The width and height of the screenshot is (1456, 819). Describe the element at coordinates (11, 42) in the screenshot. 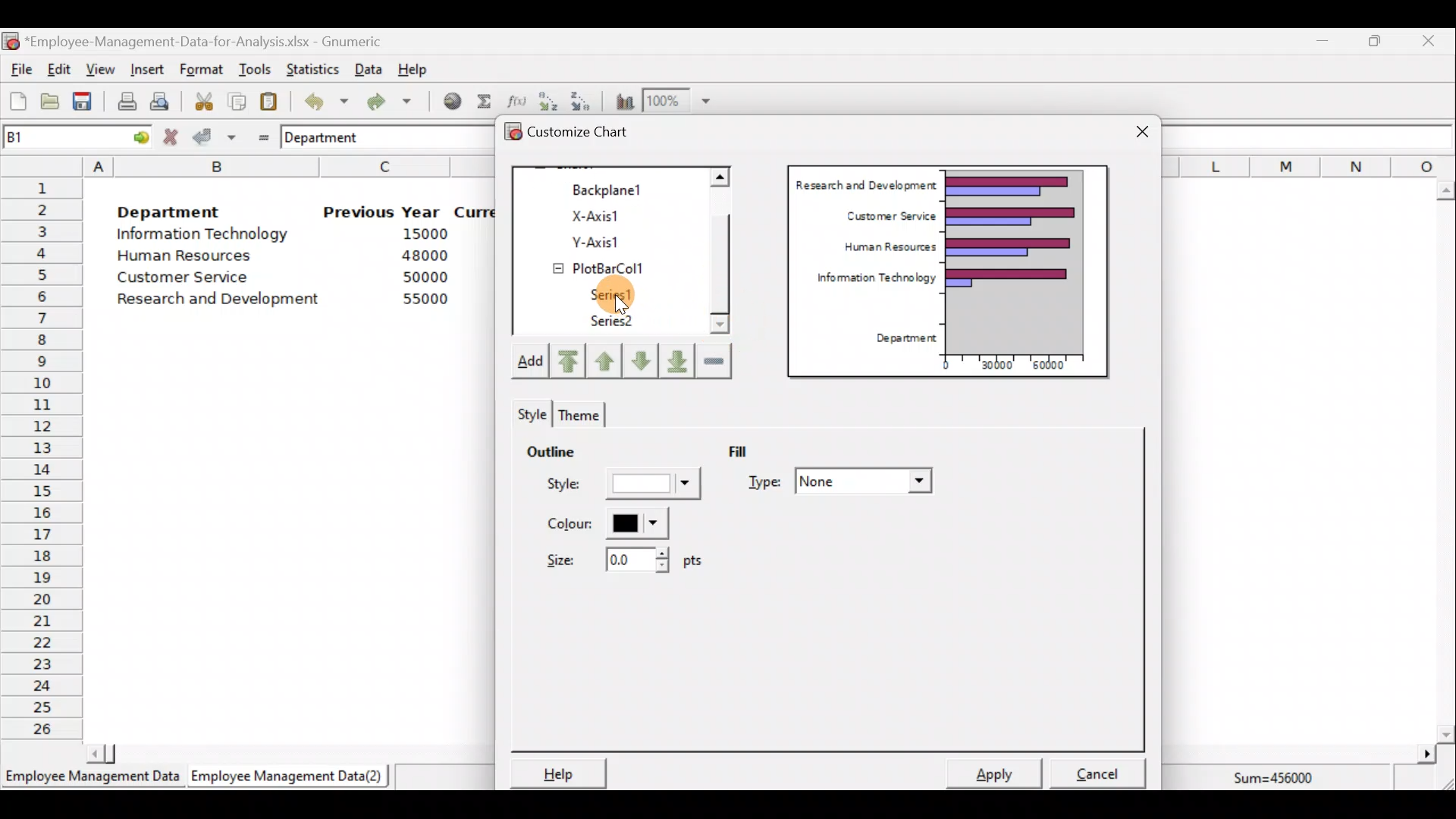

I see `Gnumeric logo` at that location.